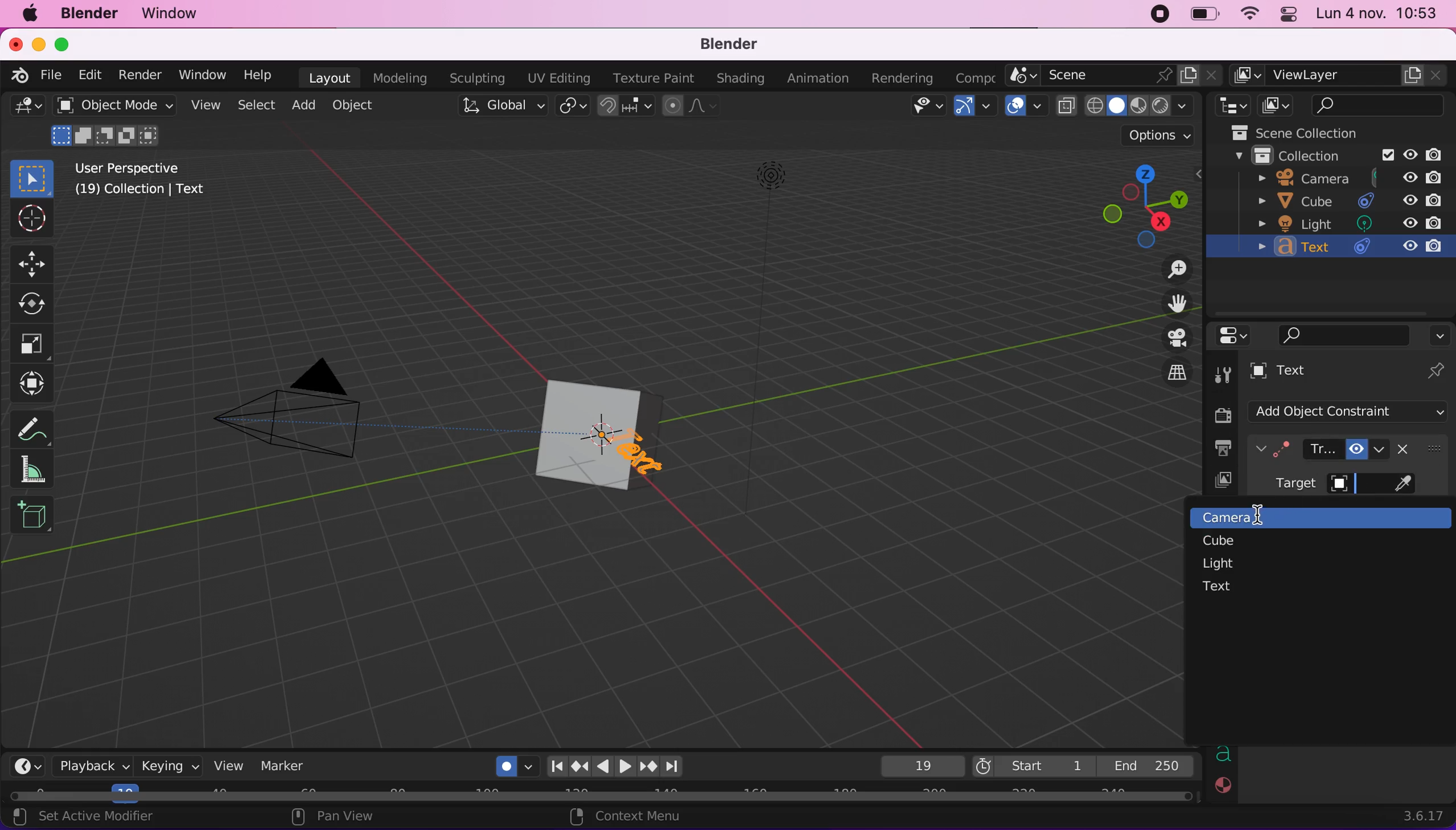 This screenshot has width=1456, height=830. Describe the element at coordinates (1328, 450) in the screenshot. I see `constraint panel` at that location.